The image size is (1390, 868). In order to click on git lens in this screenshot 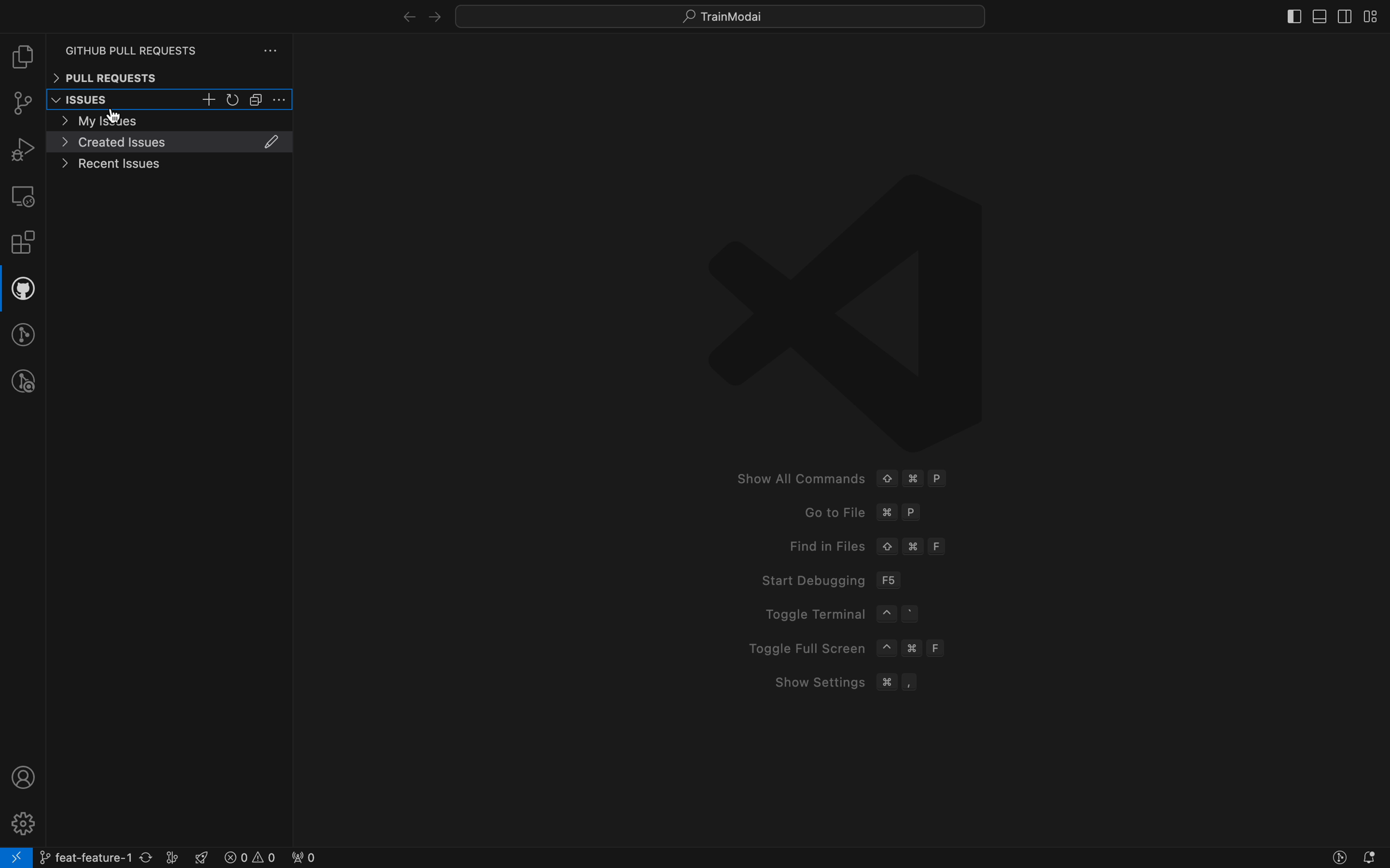, I will do `click(1331, 855)`.